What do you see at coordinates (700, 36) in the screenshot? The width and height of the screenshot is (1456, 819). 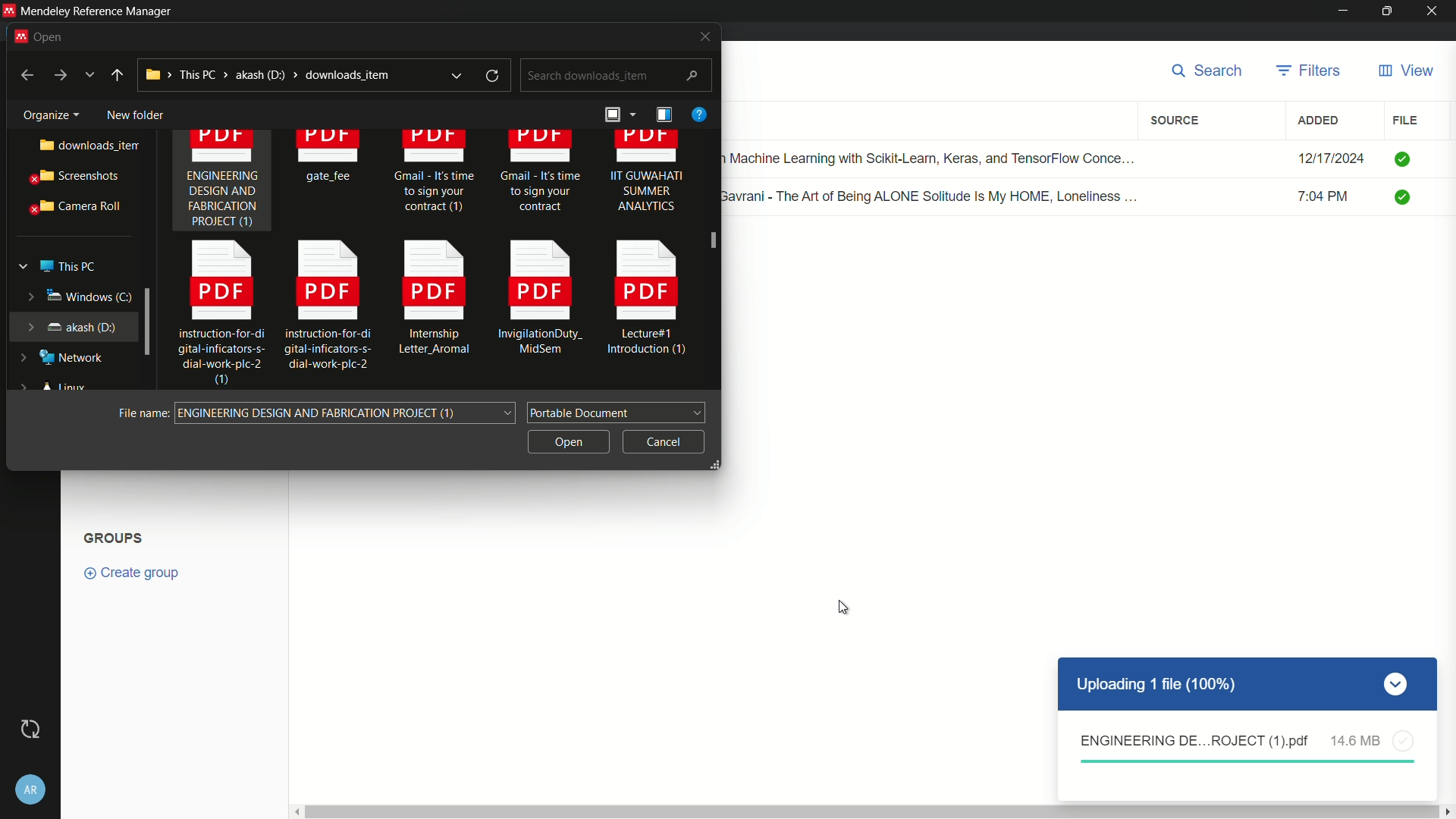 I see `close` at bounding box center [700, 36].